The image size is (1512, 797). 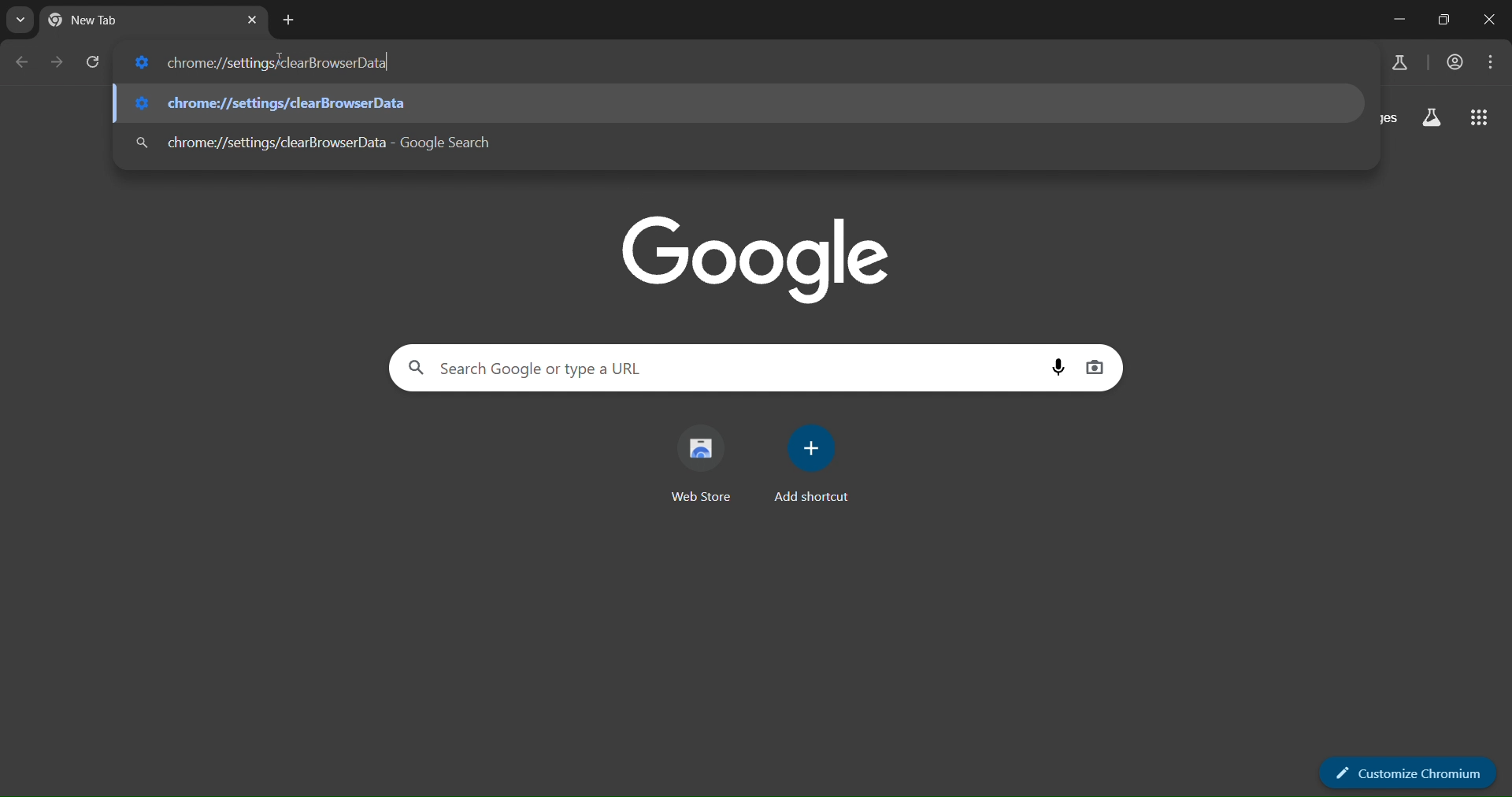 I want to click on New tab, so click(x=98, y=20).